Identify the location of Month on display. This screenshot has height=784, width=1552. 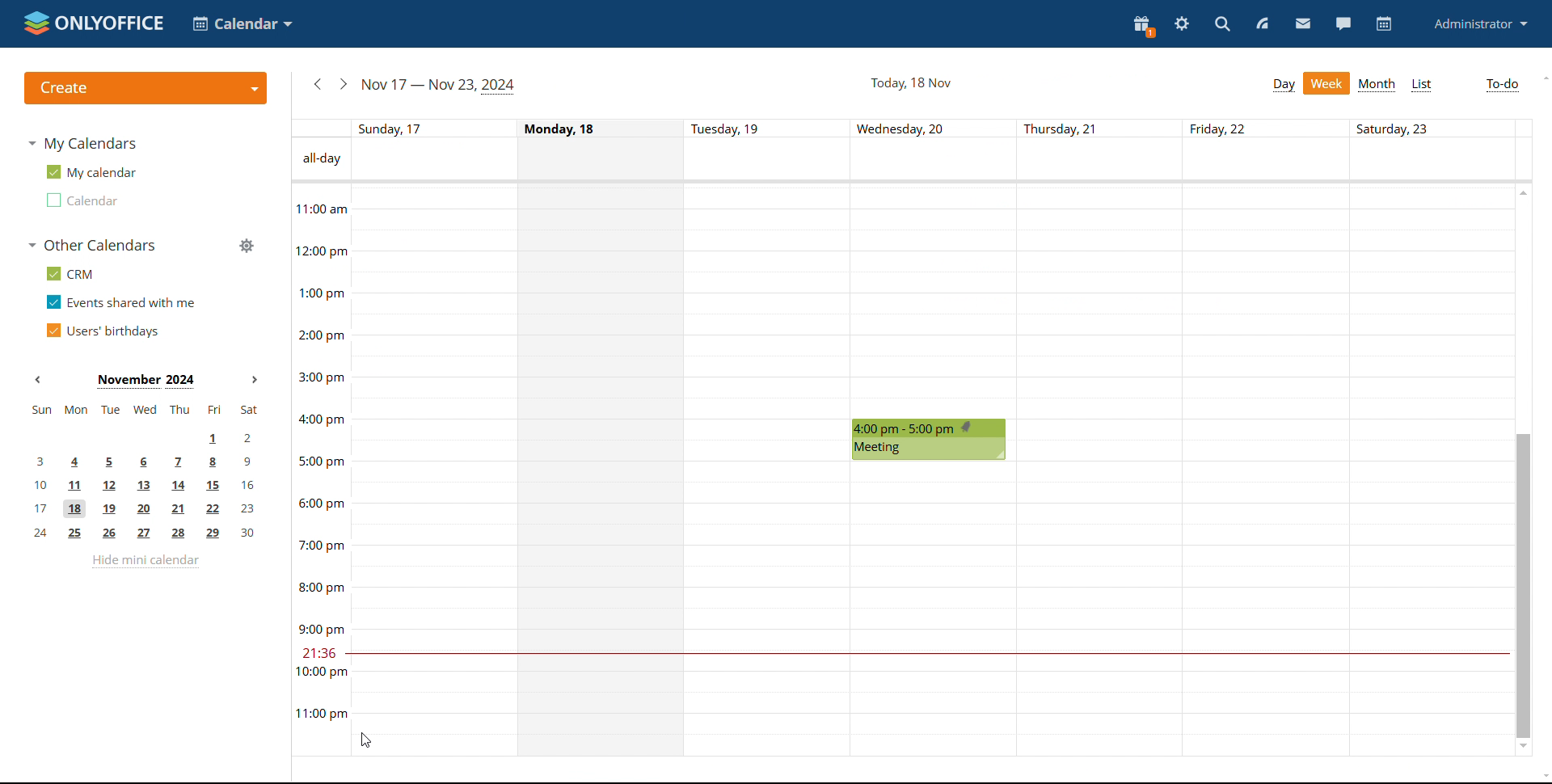
(146, 381).